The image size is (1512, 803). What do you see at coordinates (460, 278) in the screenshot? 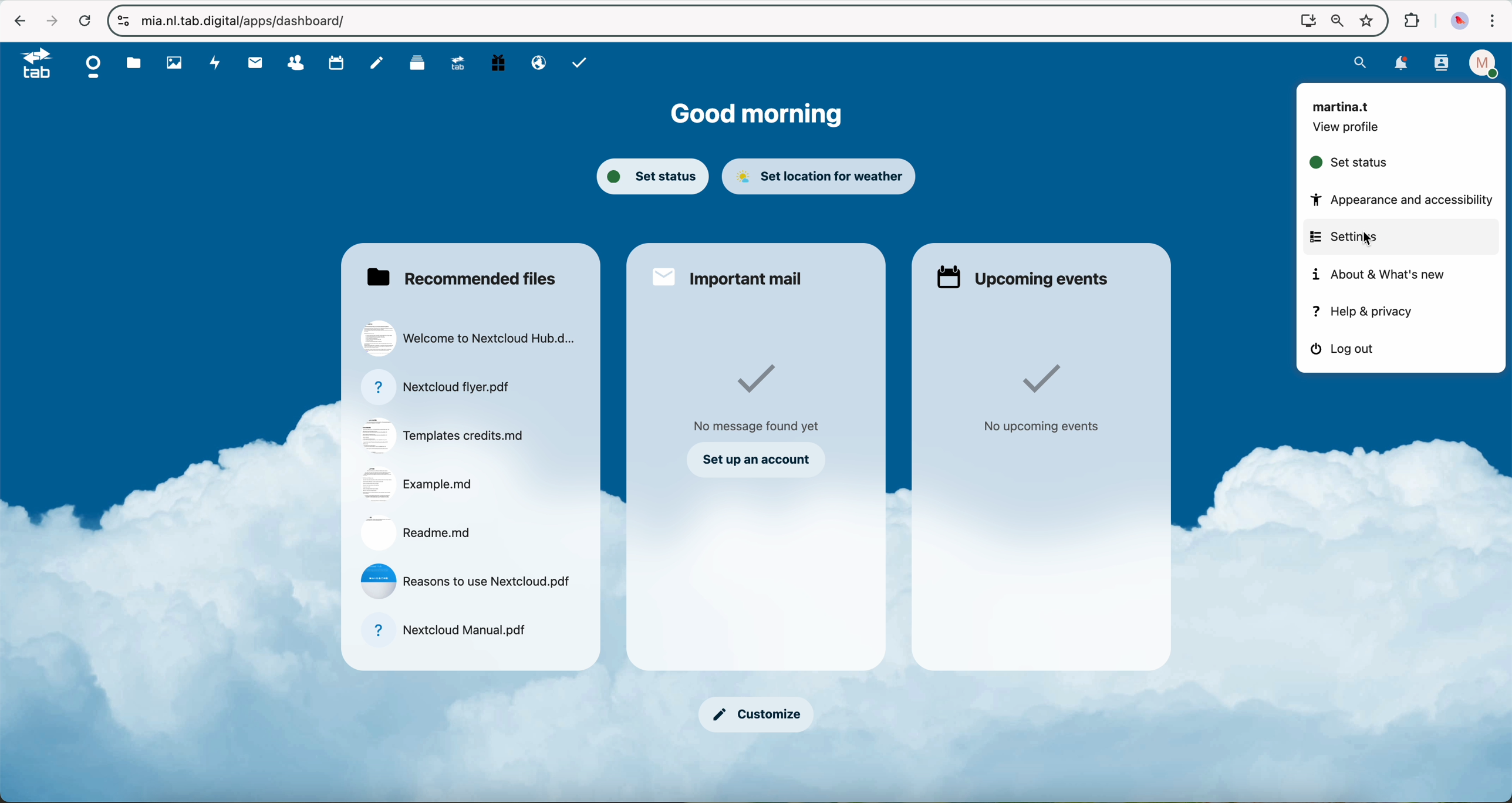
I see `recommended files` at bounding box center [460, 278].